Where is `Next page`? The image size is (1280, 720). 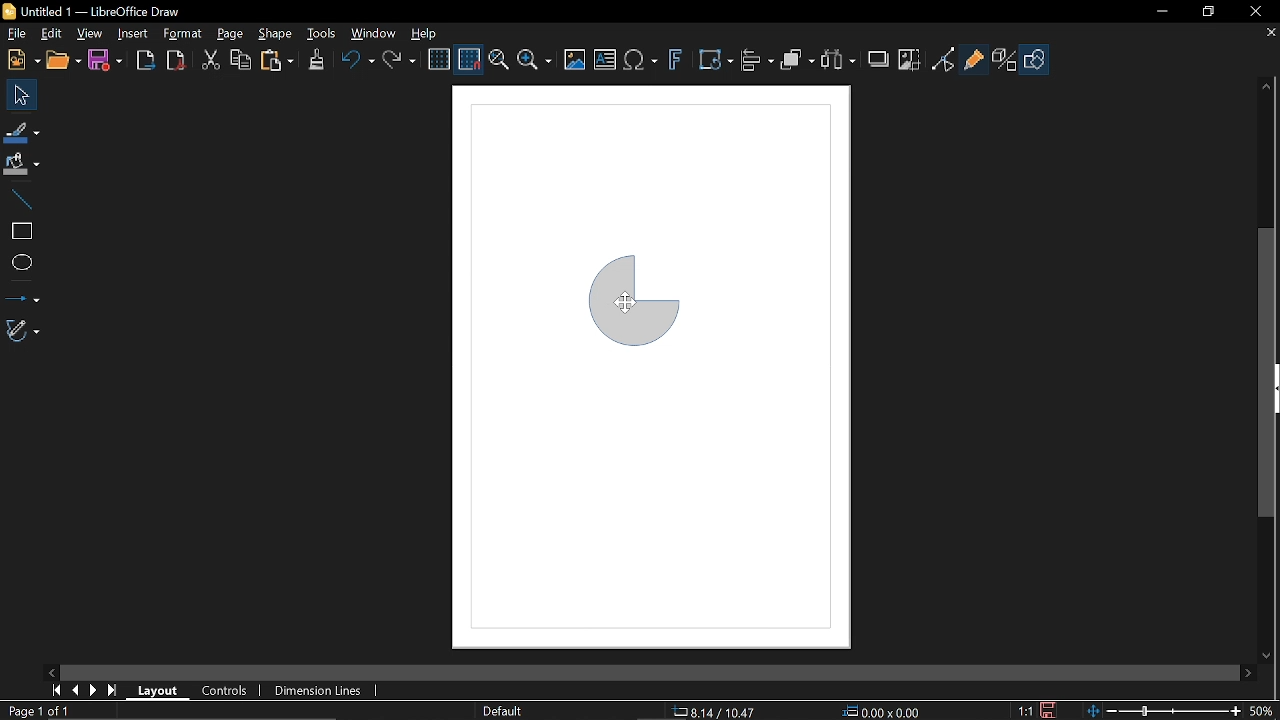
Next page is located at coordinates (93, 689).